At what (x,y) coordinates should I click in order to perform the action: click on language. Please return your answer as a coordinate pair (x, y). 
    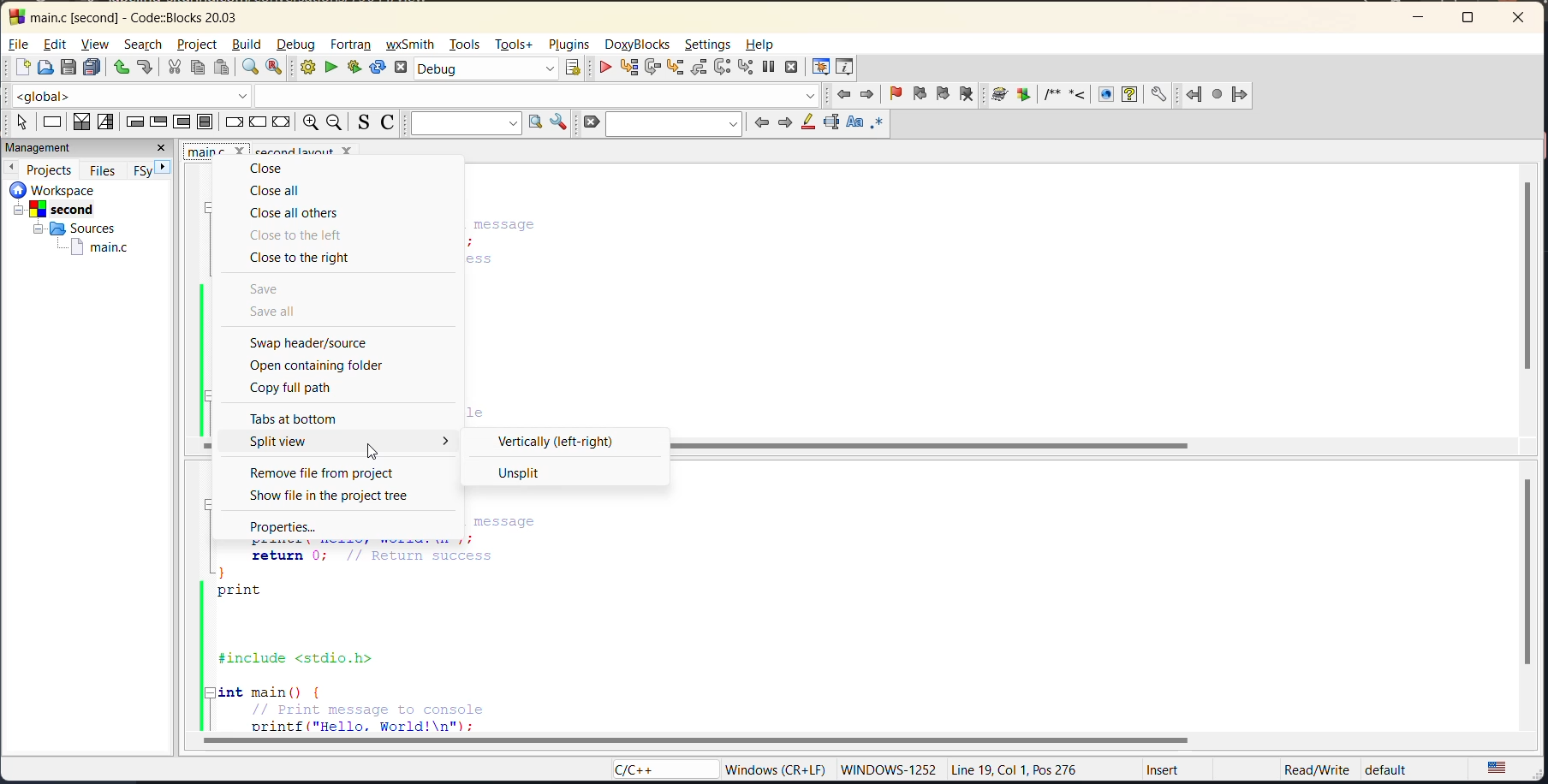
    Looking at the image, I should click on (664, 768).